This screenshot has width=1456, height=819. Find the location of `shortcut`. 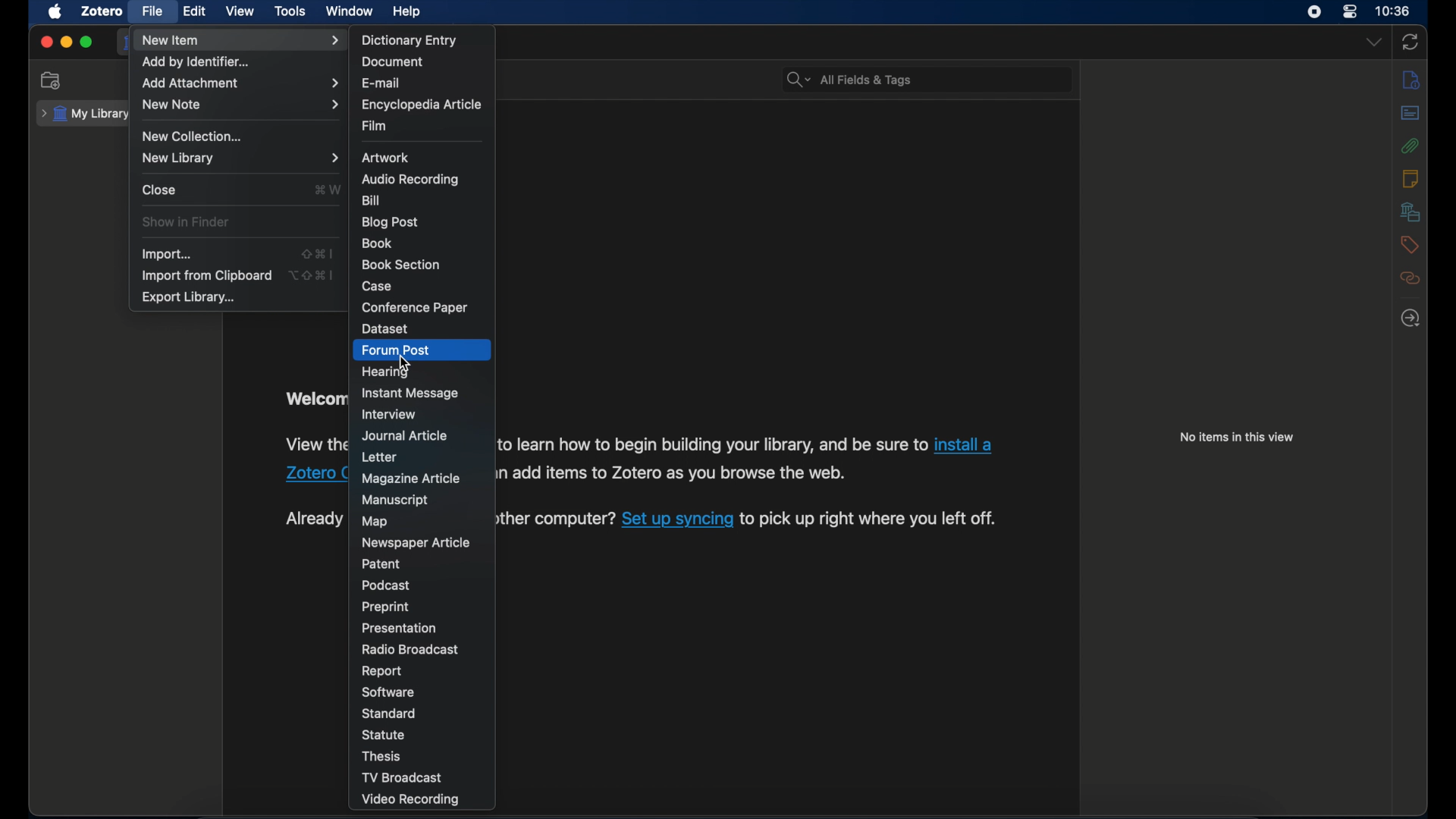

shortcut is located at coordinates (312, 275).